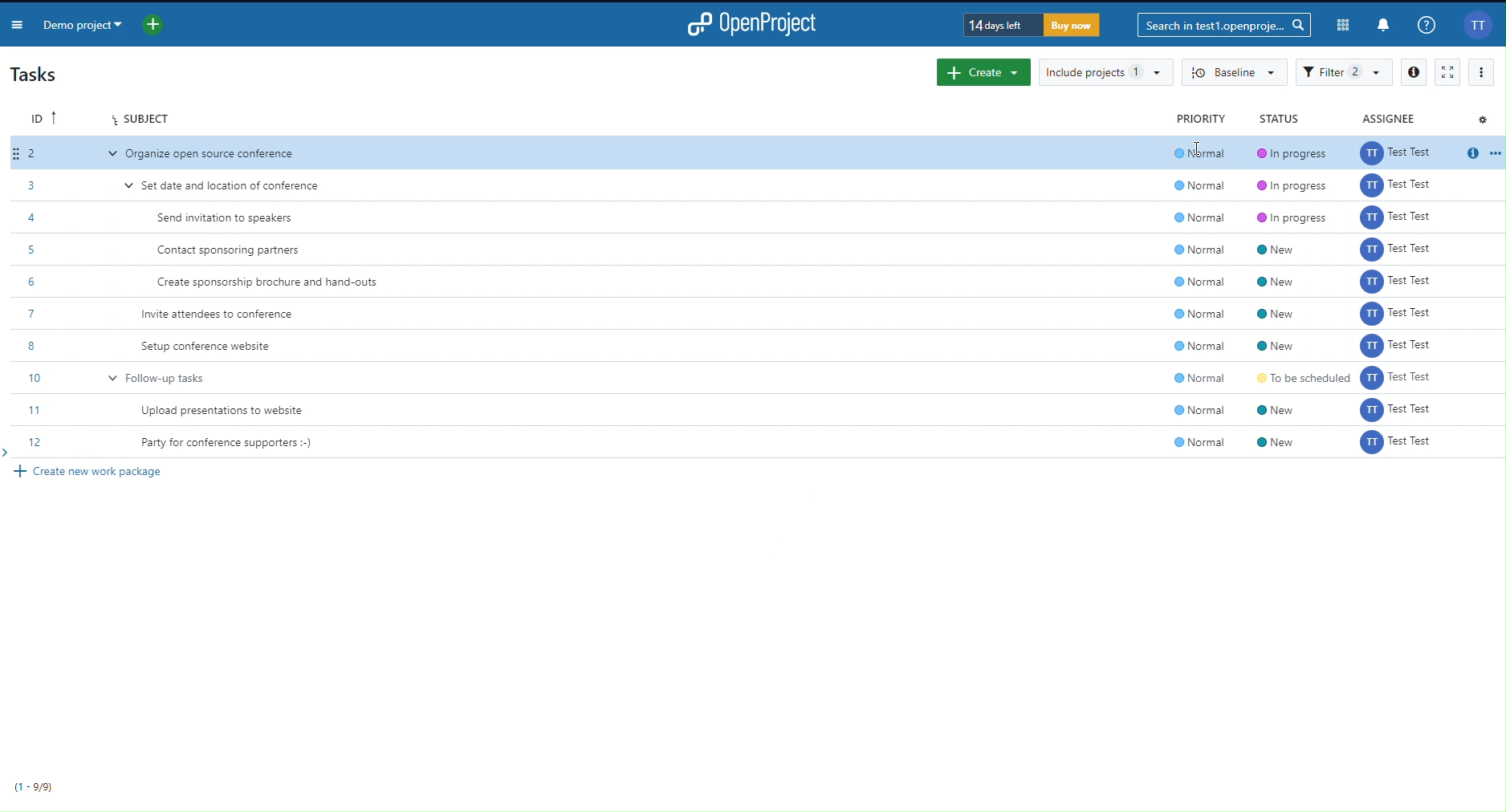 The width and height of the screenshot is (1506, 812). I want to click on Search bar, so click(1223, 26).